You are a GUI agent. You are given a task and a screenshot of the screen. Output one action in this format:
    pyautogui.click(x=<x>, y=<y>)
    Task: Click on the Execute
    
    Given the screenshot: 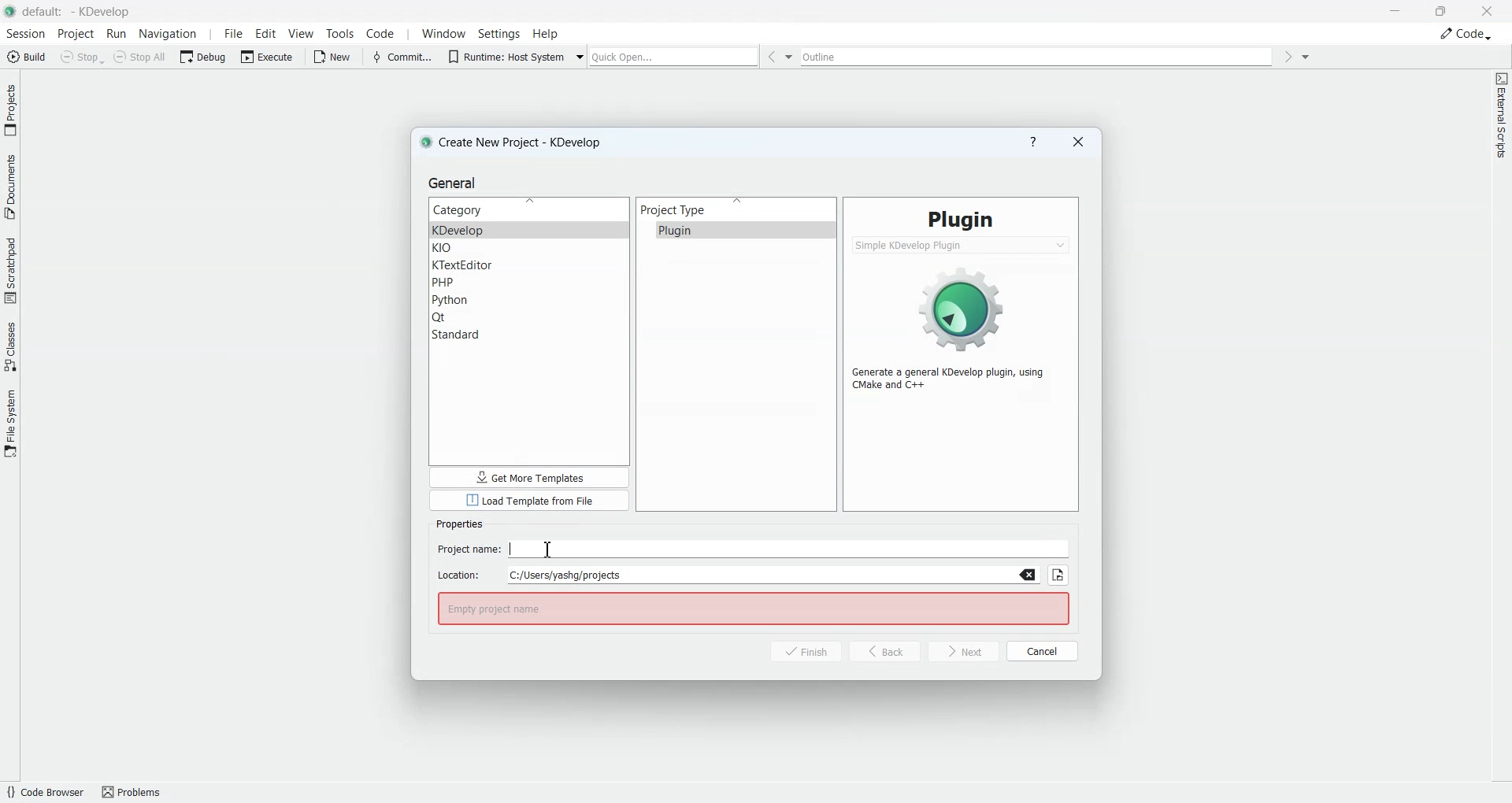 What is the action you would take?
    pyautogui.click(x=269, y=56)
    